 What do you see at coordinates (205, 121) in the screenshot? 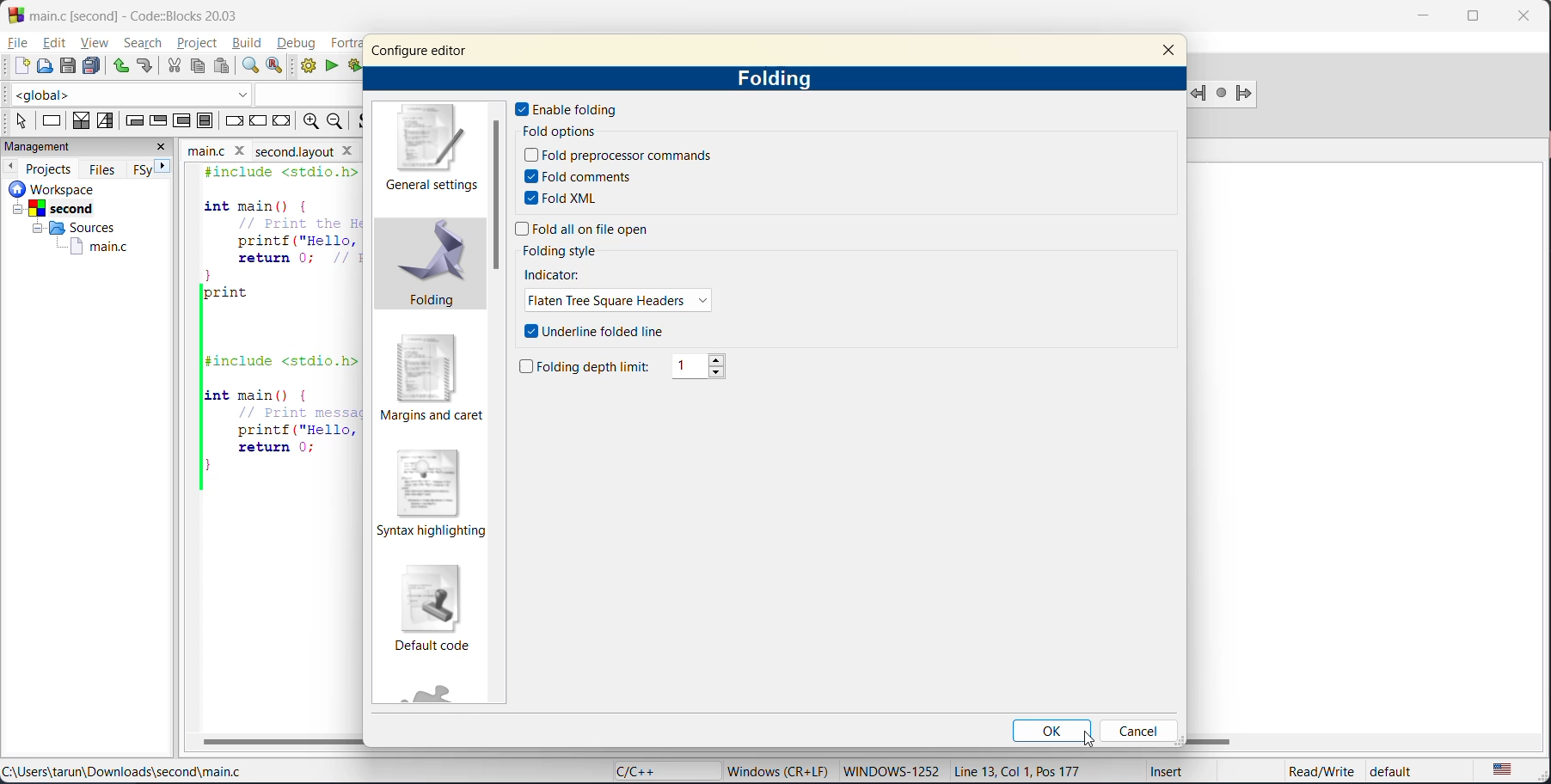
I see `block instruction` at bounding box center [205, 121].